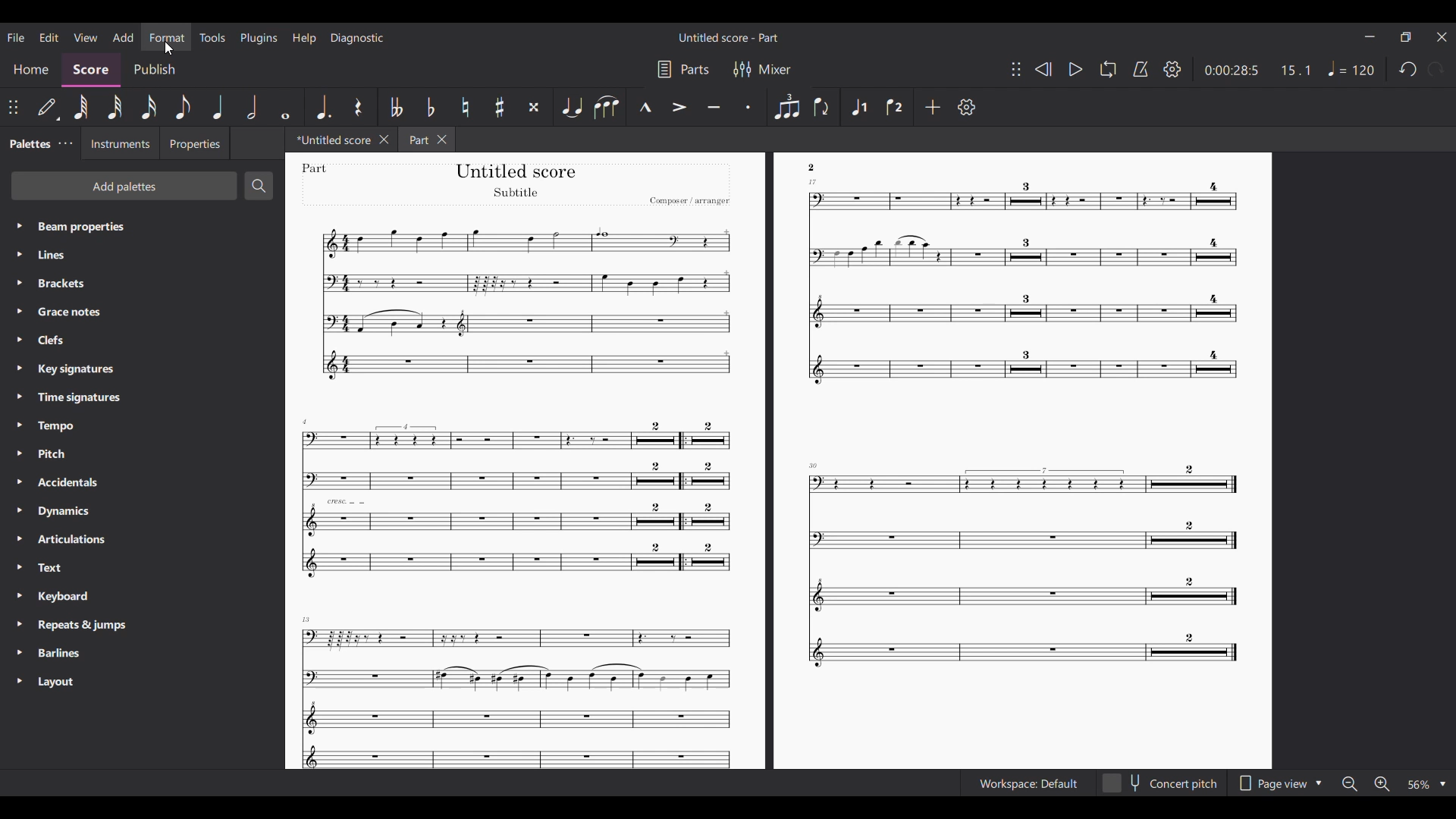  What do you see at coordinates (196, 143) in the screenshot?
I see `Properties tab` at bounding box center [196, 143].